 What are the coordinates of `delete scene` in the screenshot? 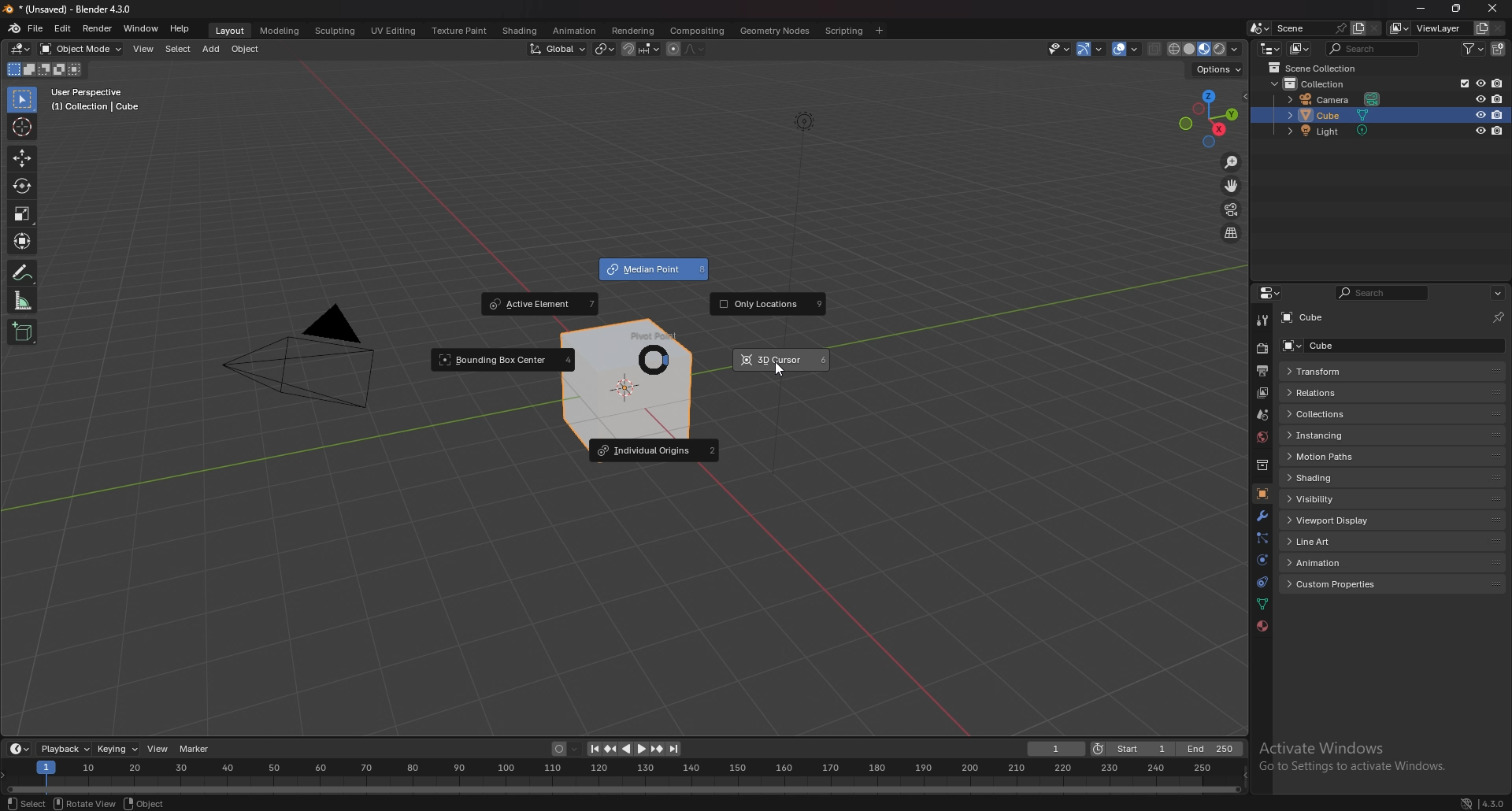 It's located at (1376, 28).